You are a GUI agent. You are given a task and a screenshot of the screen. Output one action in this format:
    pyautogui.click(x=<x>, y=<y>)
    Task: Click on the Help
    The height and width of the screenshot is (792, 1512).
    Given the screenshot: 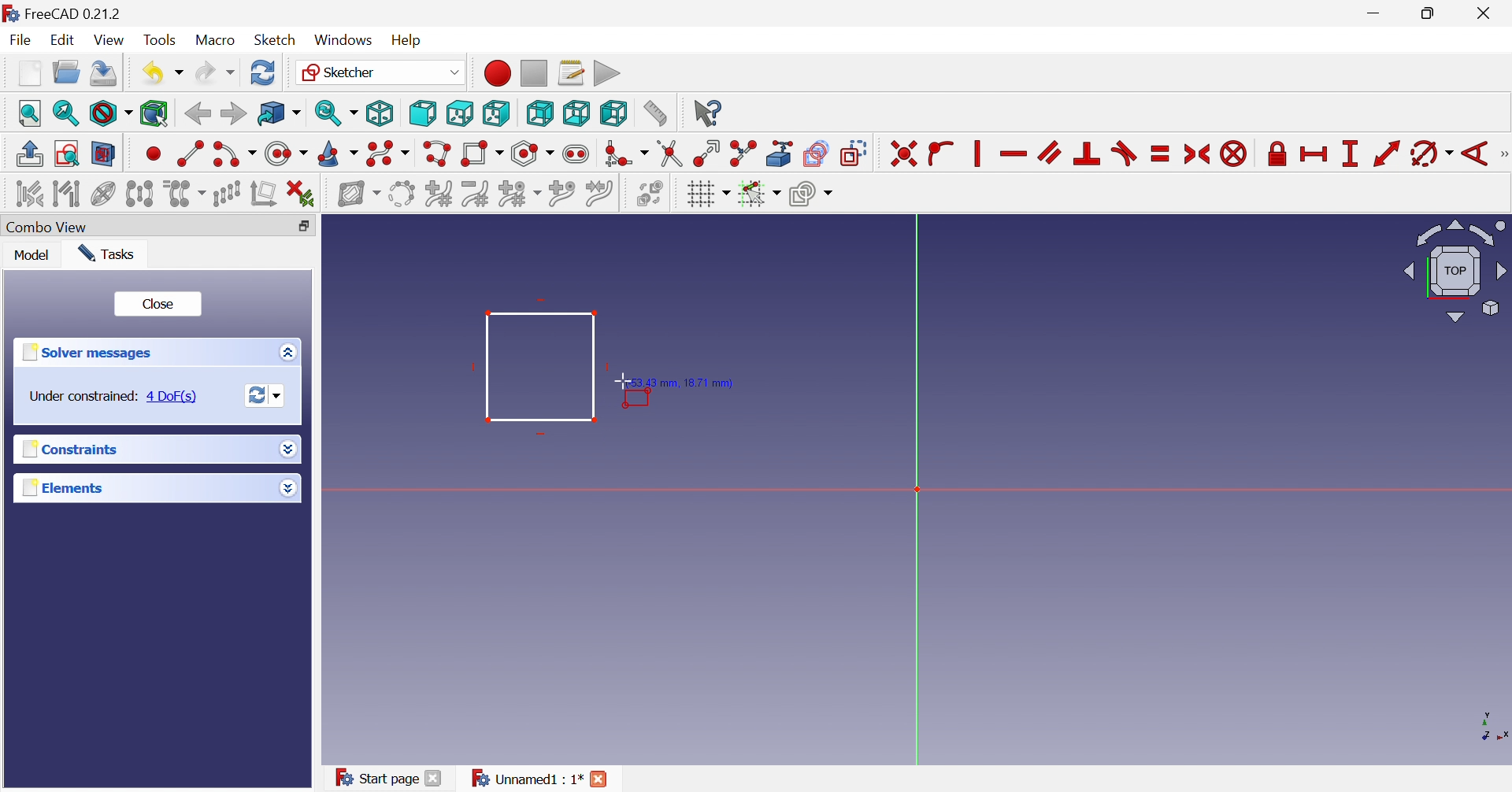 What is the action you would take?
    pyautogui.click(x=406, y=39)
    